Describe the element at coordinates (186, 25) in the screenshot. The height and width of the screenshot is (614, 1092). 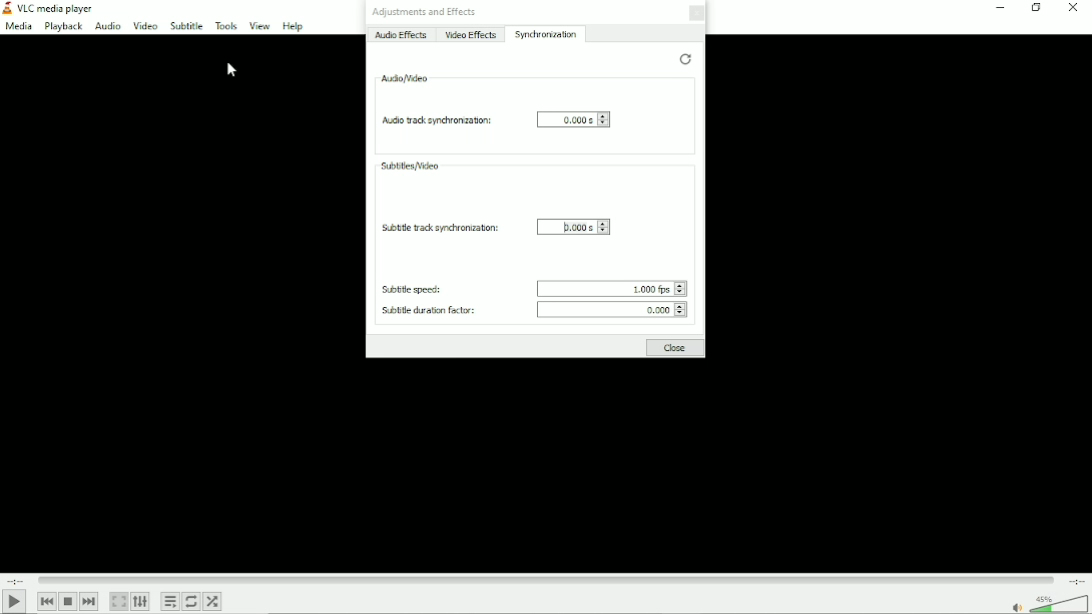
I see `subtitle` at that location.